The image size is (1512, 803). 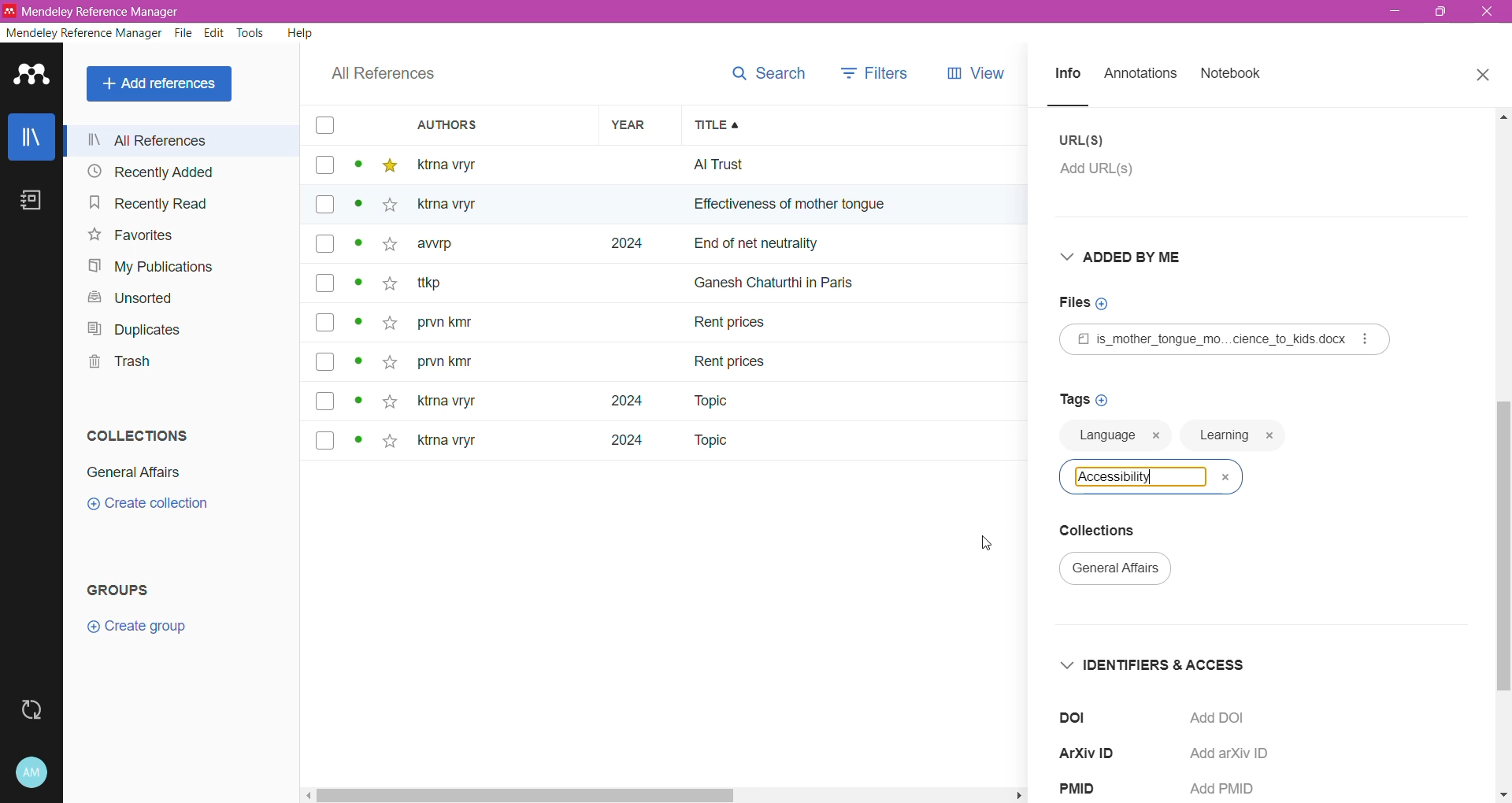 What do you see at coordinates (132, 235) in the screenshot?
I see `Favorites` at bounding box center [132, 235].